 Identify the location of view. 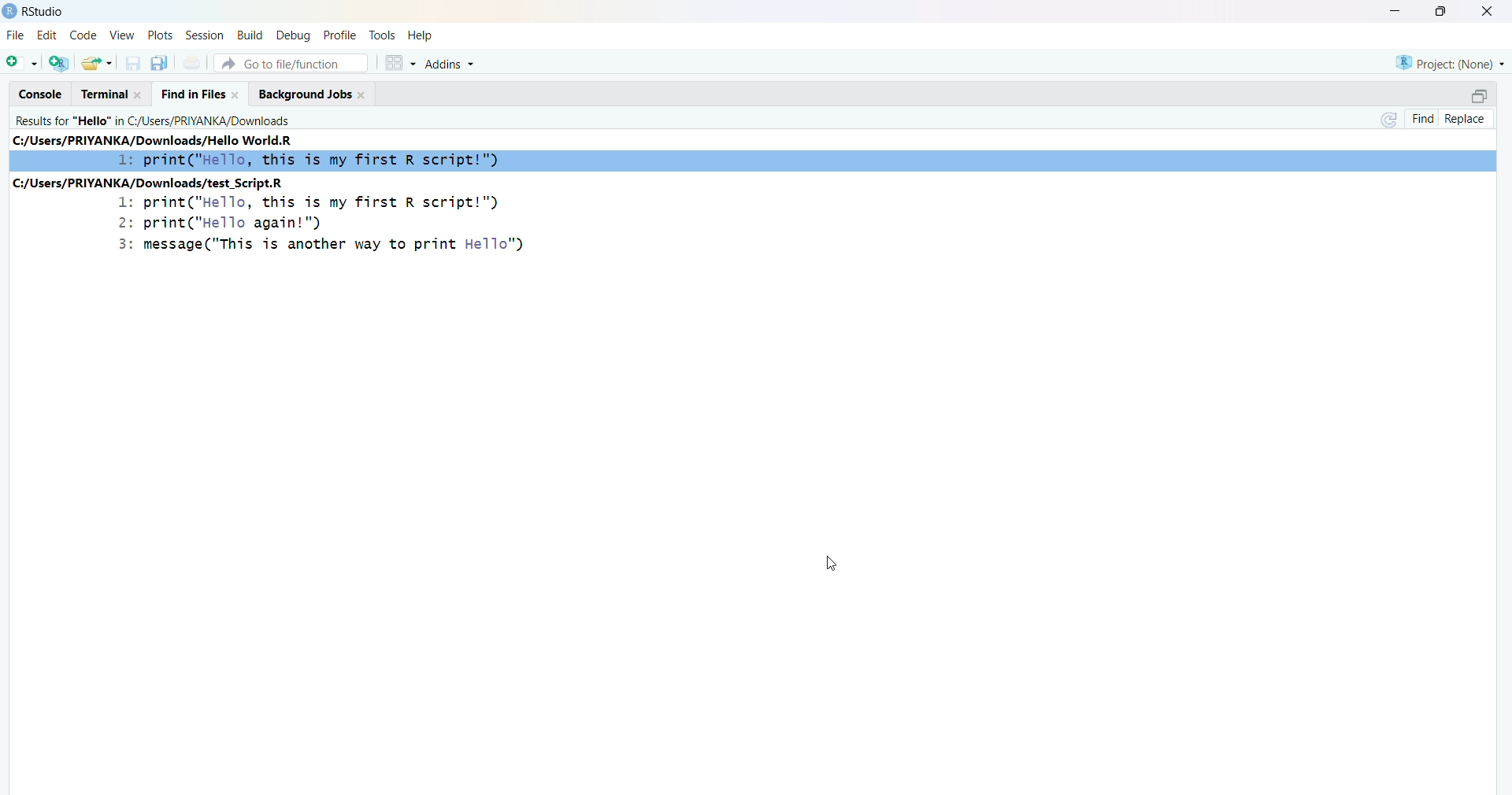
(122, 34).